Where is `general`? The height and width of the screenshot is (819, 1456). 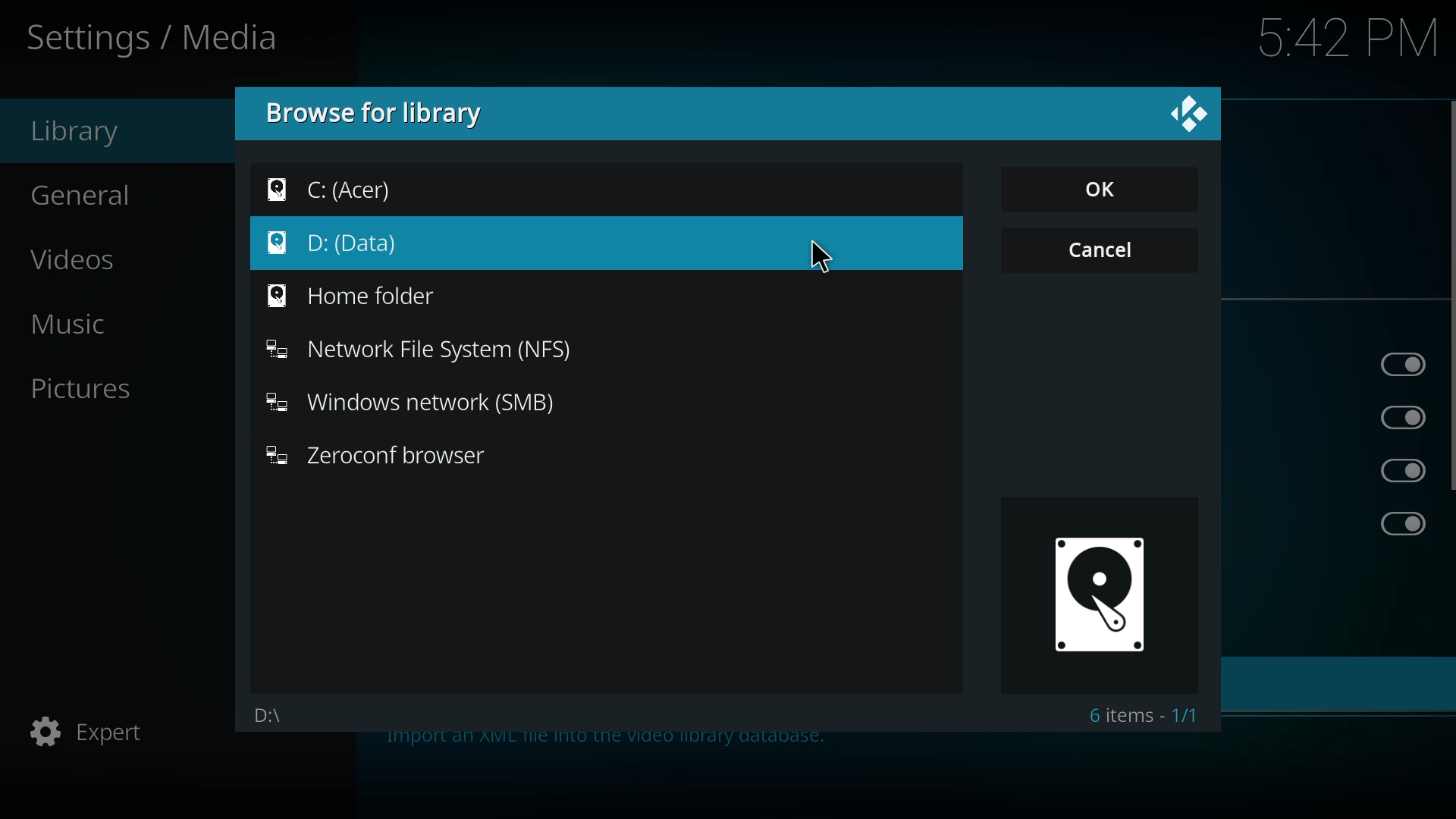
general is located at coordinates (91, 192).